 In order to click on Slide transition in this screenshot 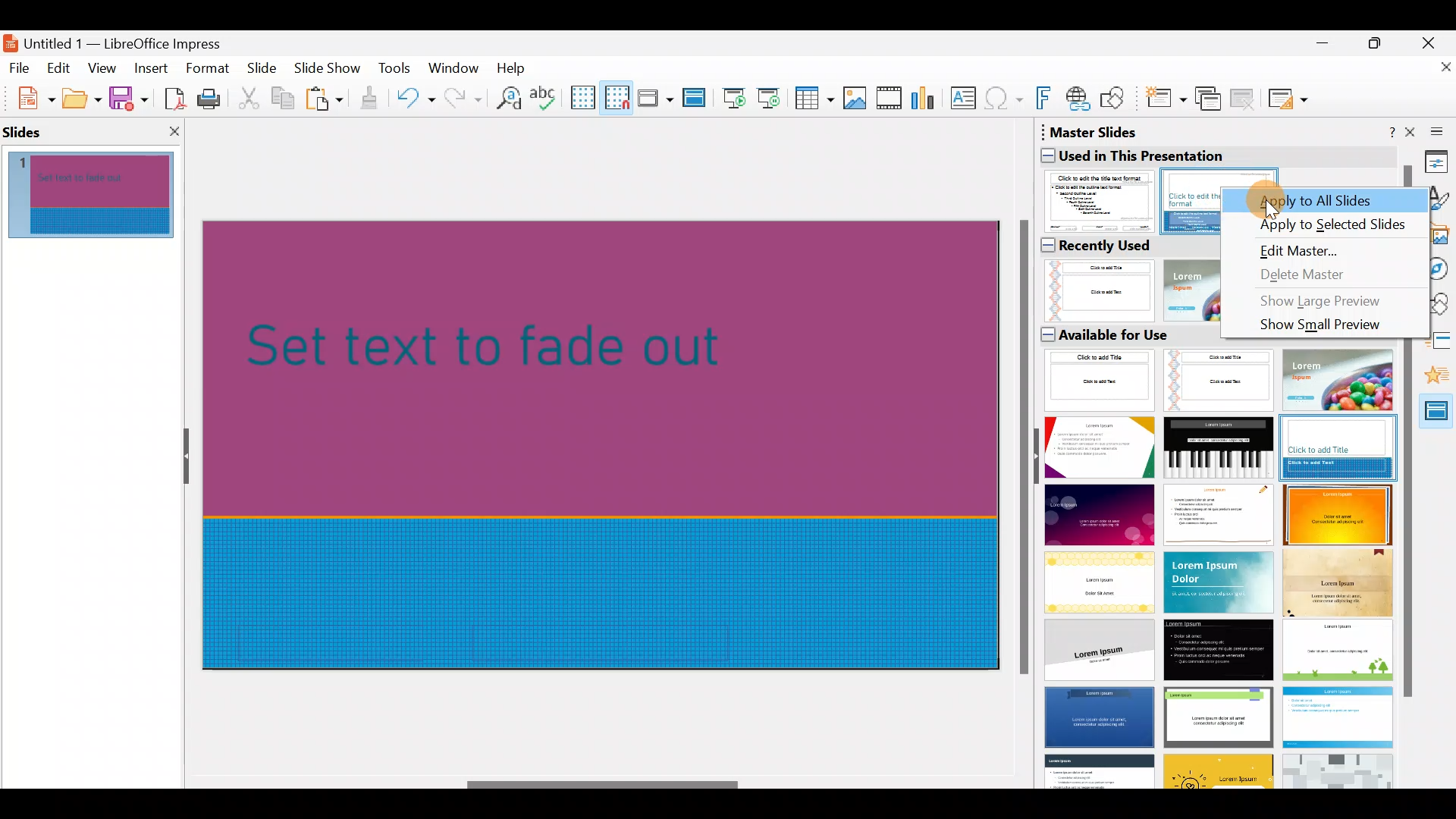, I will do `click(1435, 343)`.